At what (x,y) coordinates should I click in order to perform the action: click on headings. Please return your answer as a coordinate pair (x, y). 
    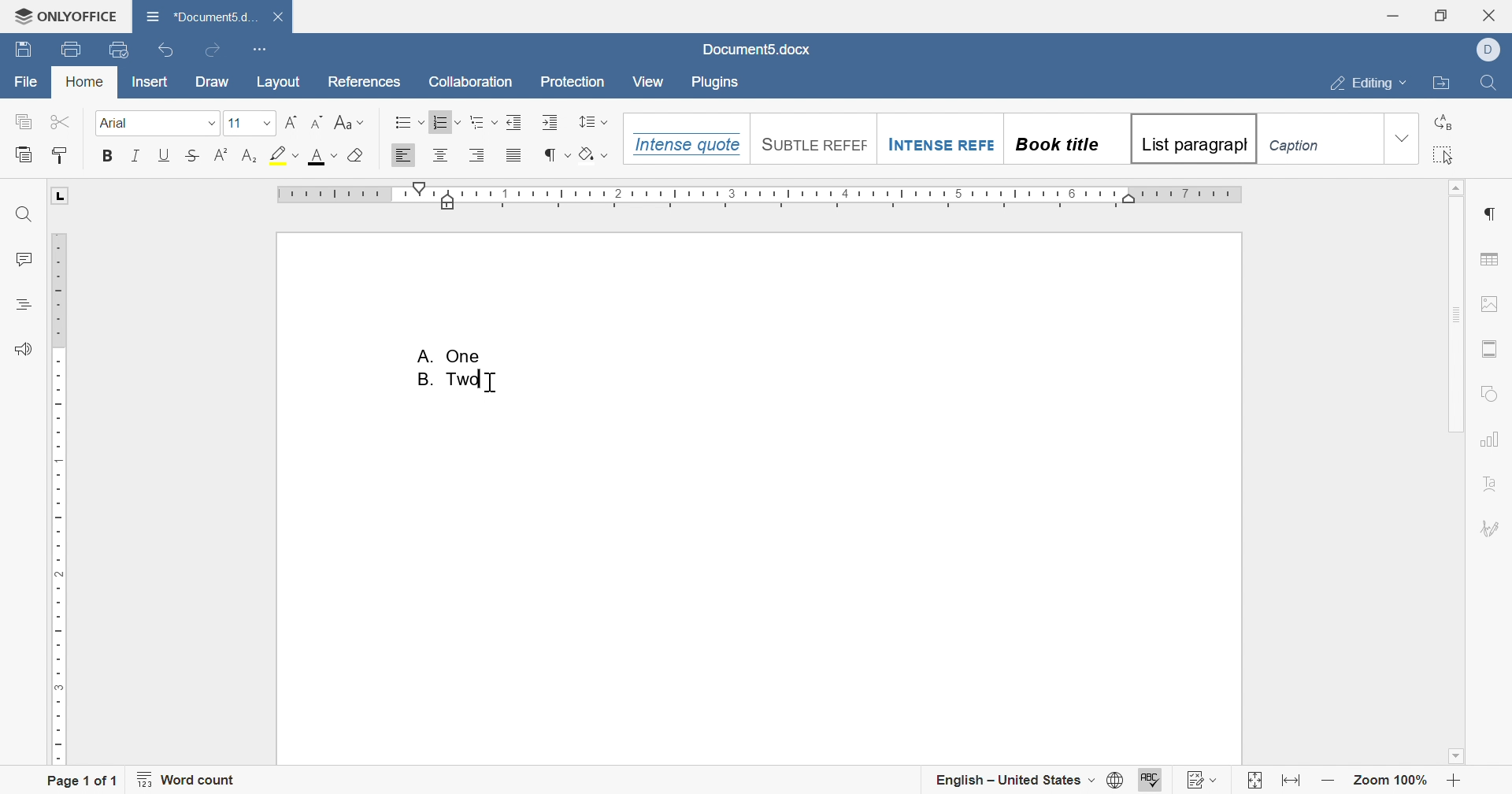
    Looking at the image, I should click on (22, 305).